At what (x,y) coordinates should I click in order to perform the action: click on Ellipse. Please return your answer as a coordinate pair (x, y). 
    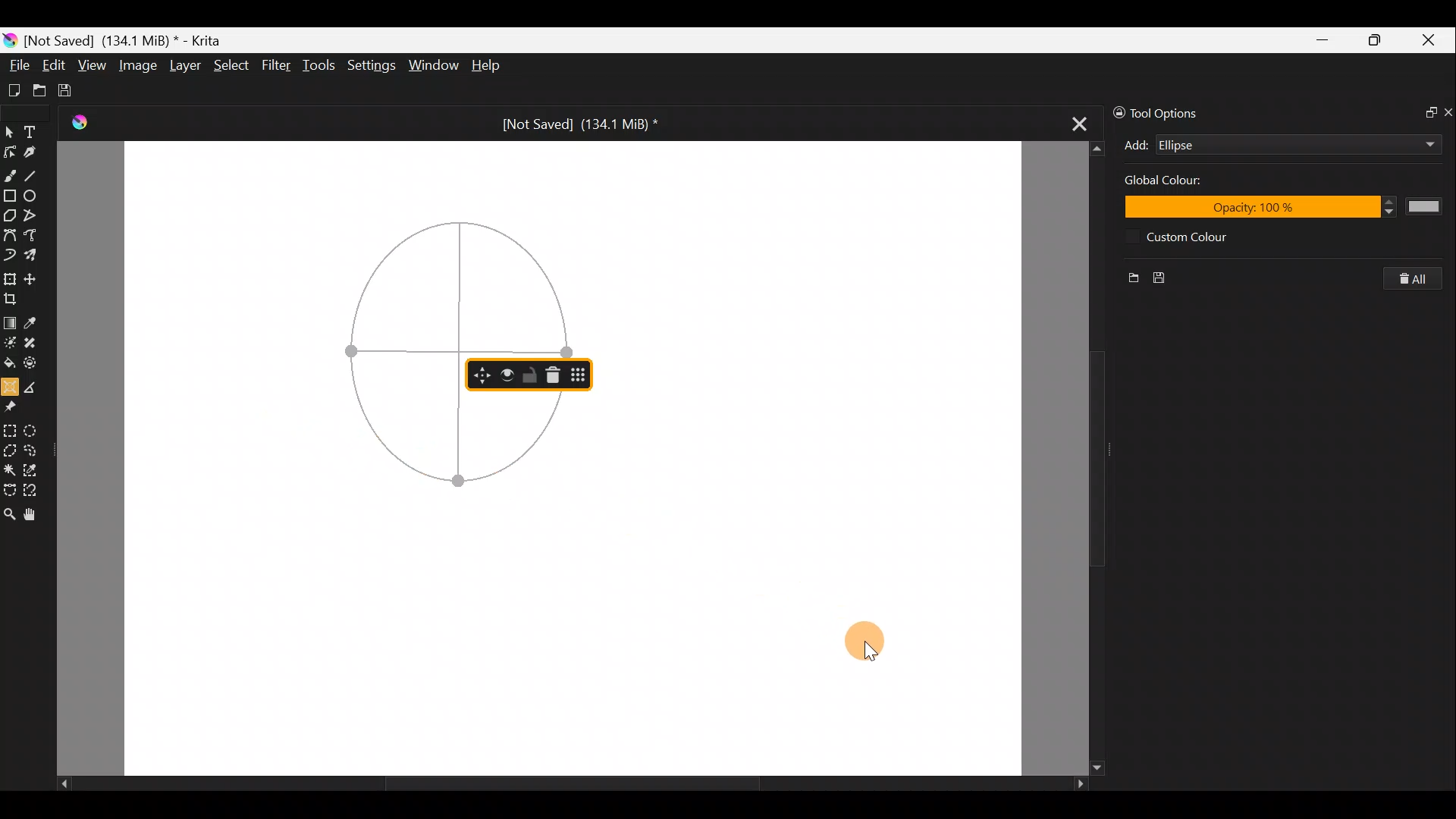
    Looking at the image, I should click on (1274, 145).